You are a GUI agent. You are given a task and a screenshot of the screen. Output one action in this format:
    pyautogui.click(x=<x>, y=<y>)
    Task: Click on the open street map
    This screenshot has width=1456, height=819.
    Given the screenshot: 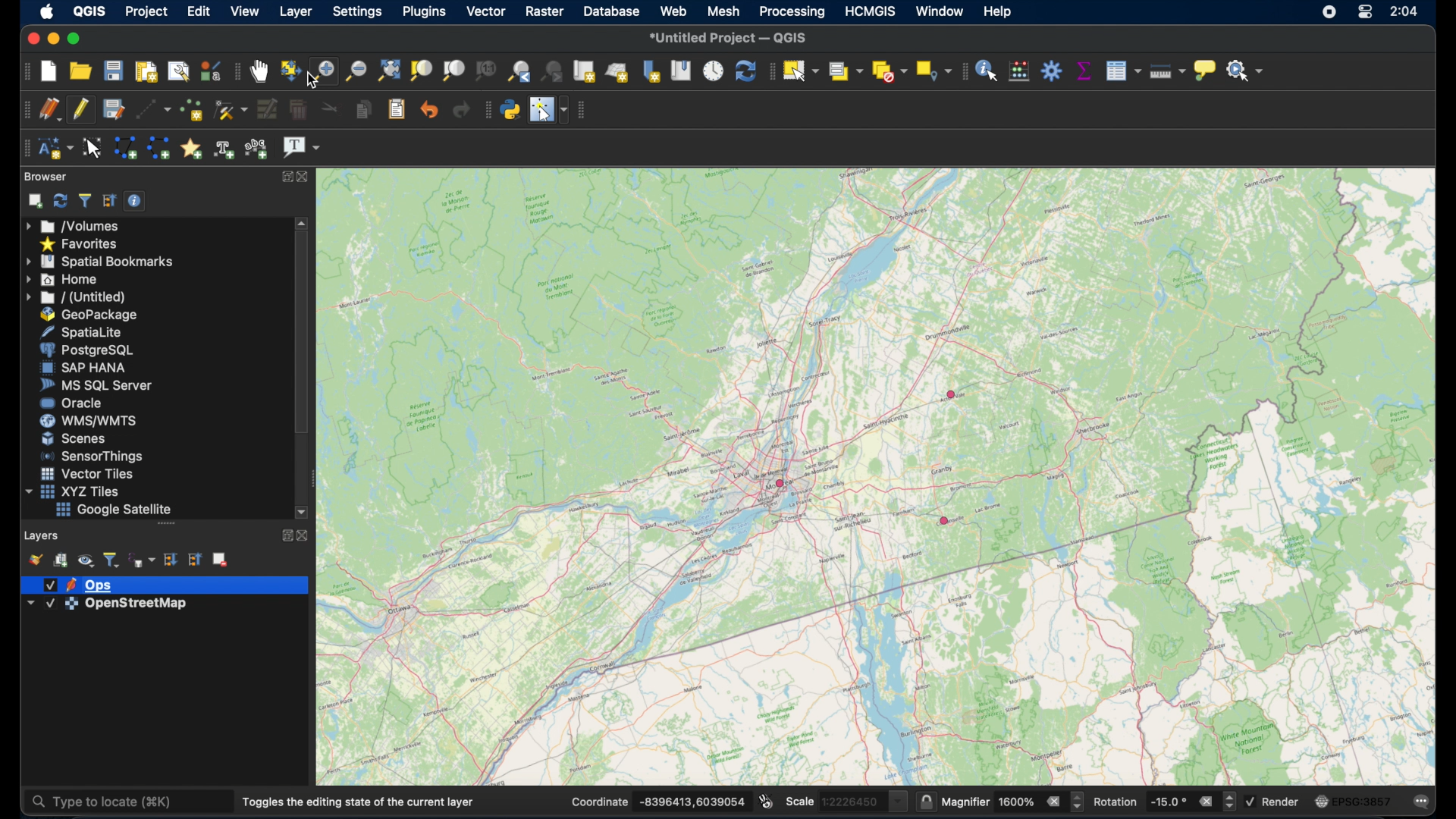 What is the action you would take?
    pyautogui.click(x=1205, y=397)
    